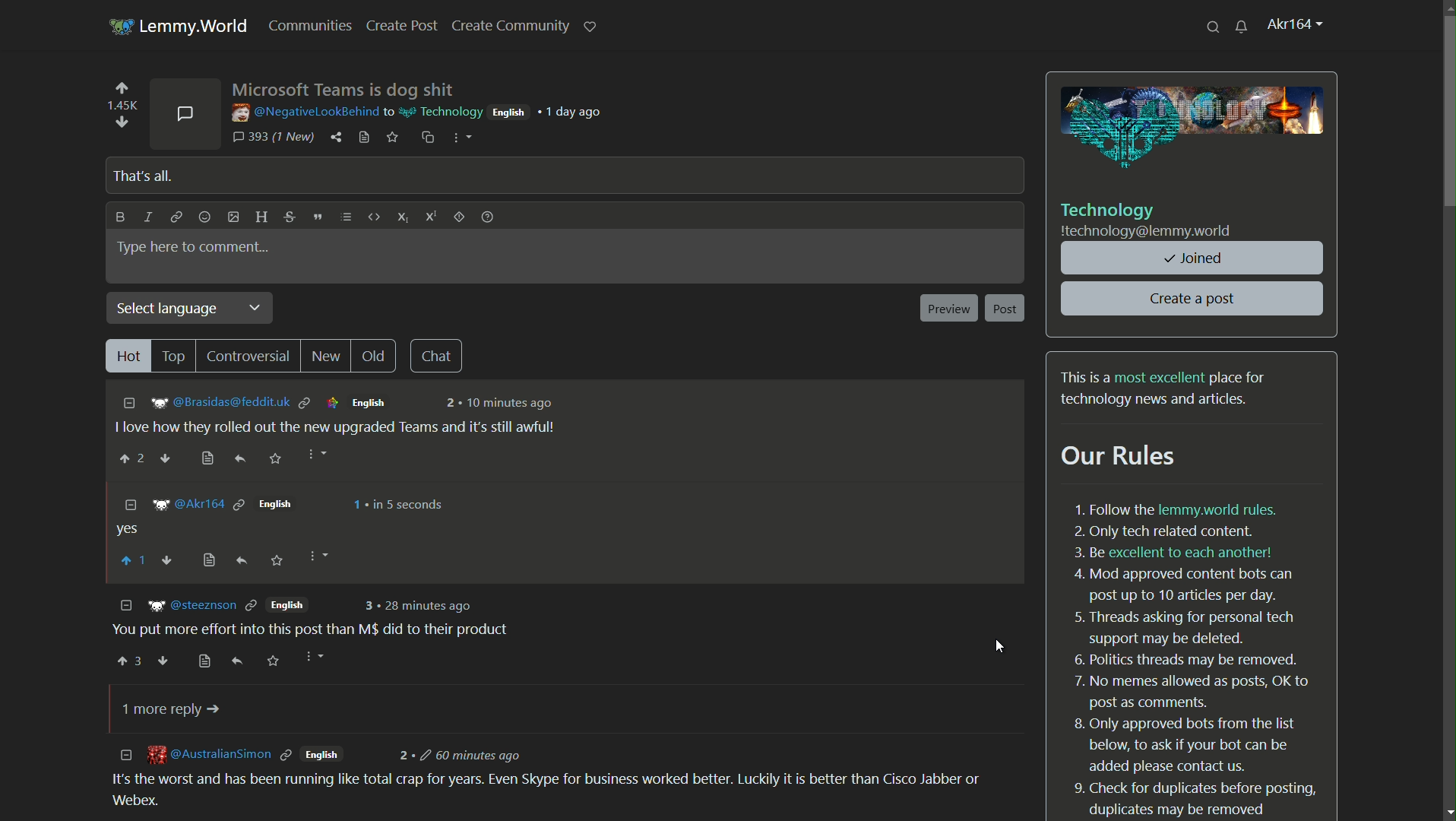 This screenshot has width=1456, height=821. I want to click on collapse, so click(133, 504).